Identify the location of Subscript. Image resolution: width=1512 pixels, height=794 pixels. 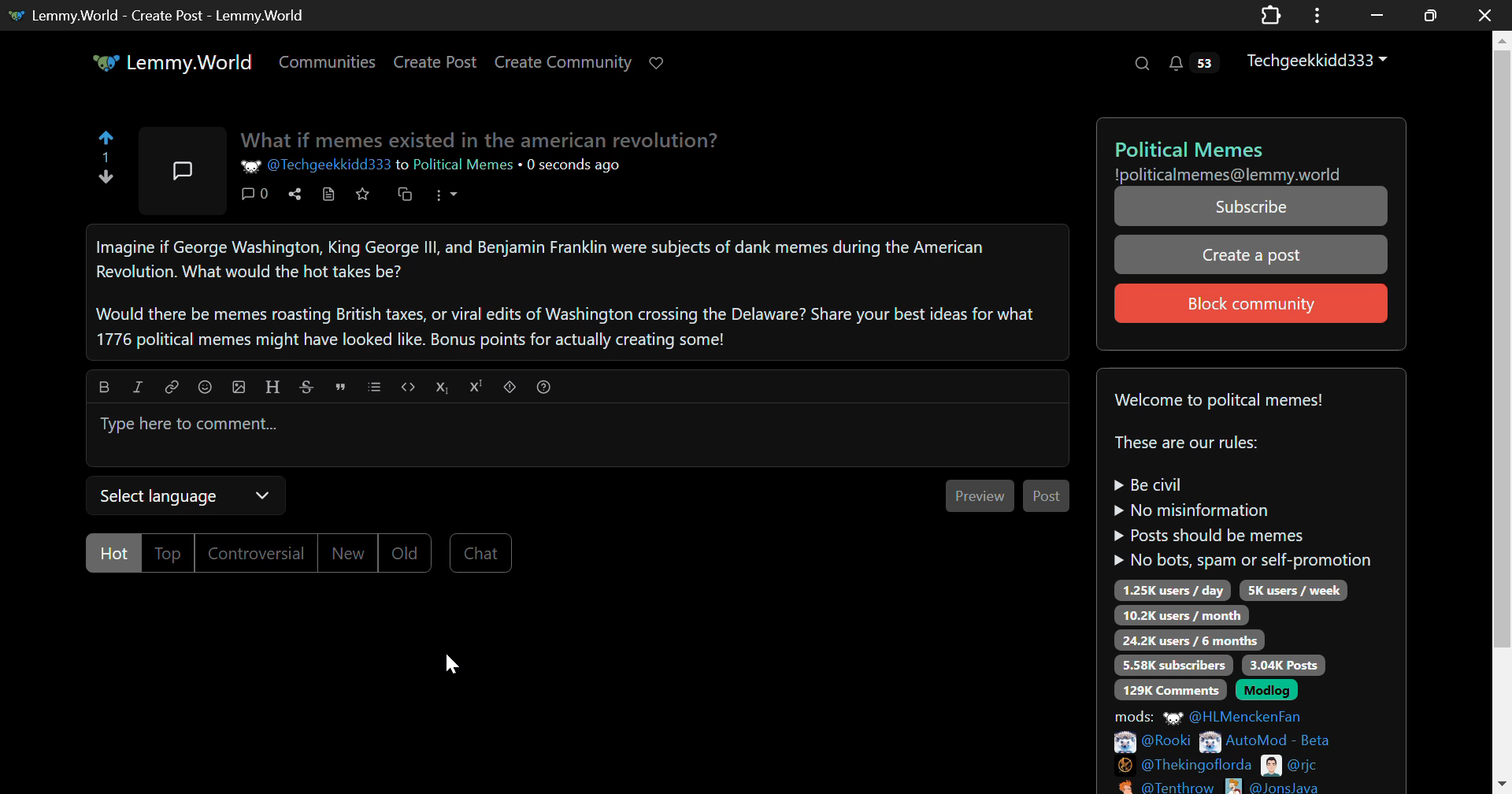
(444, 387).